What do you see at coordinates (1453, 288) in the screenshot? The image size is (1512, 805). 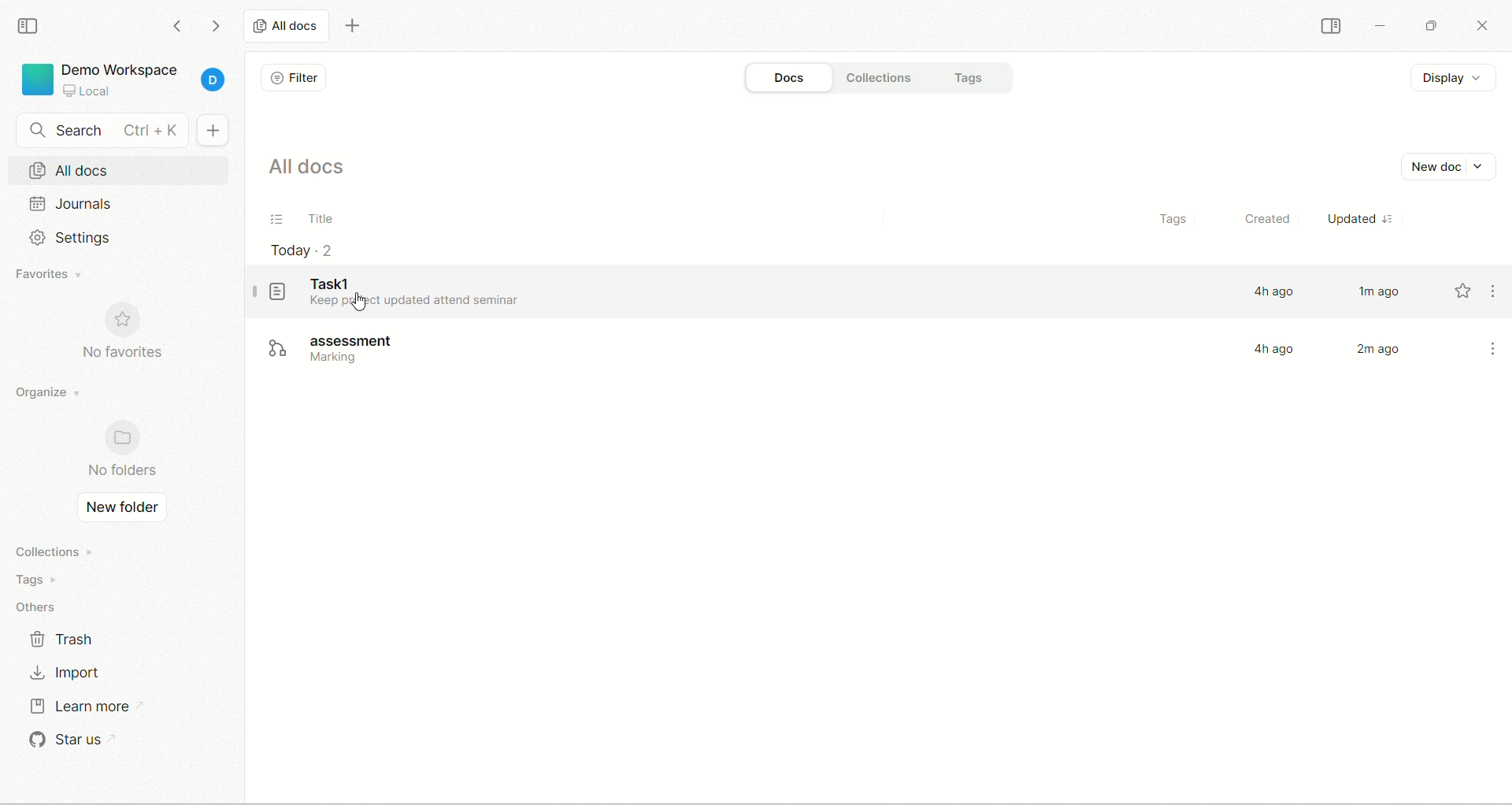 I see `favorite` at bounding box center [1453, 288].